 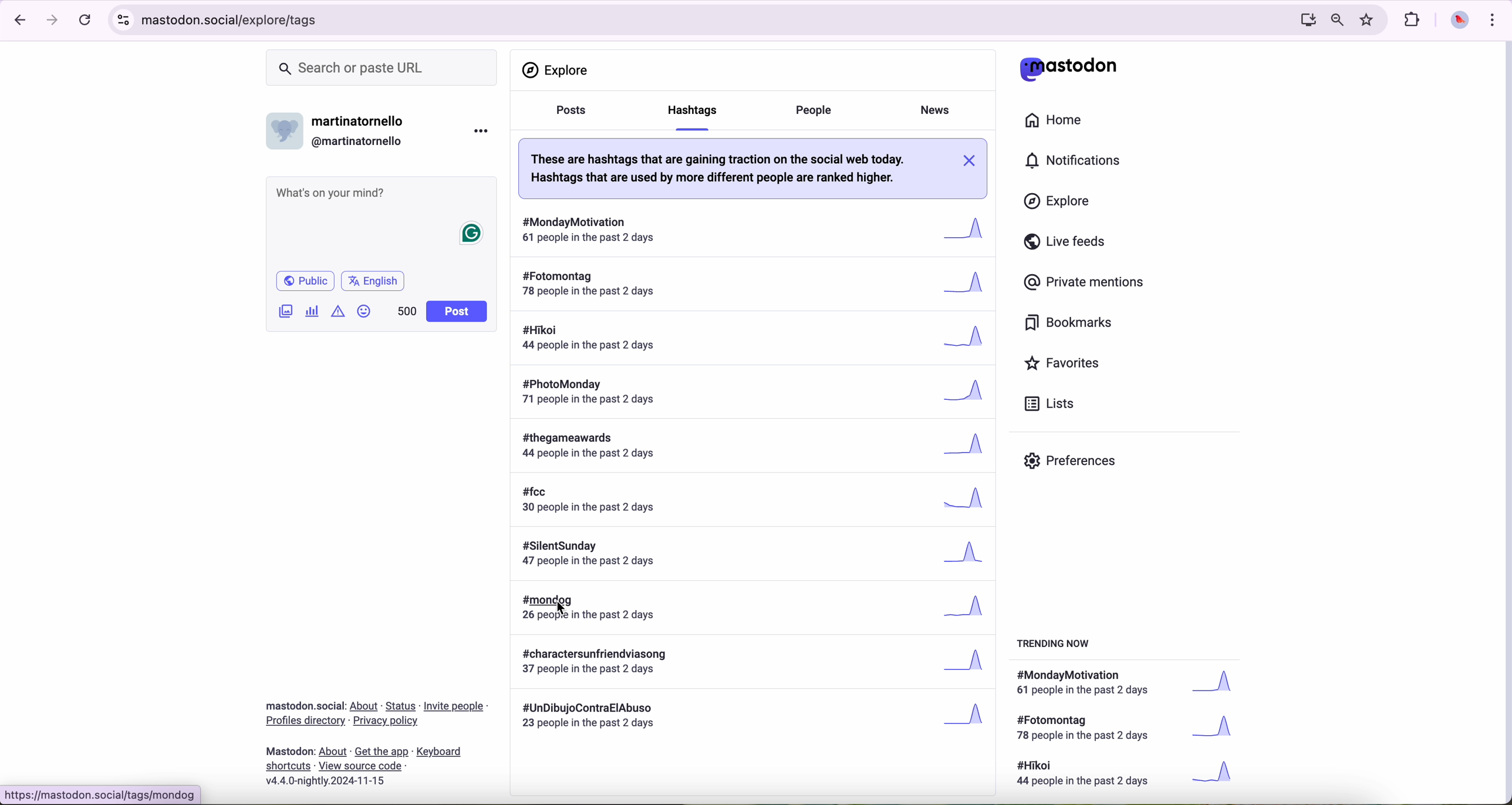 I want to click on close, so click(x=972, y=161).